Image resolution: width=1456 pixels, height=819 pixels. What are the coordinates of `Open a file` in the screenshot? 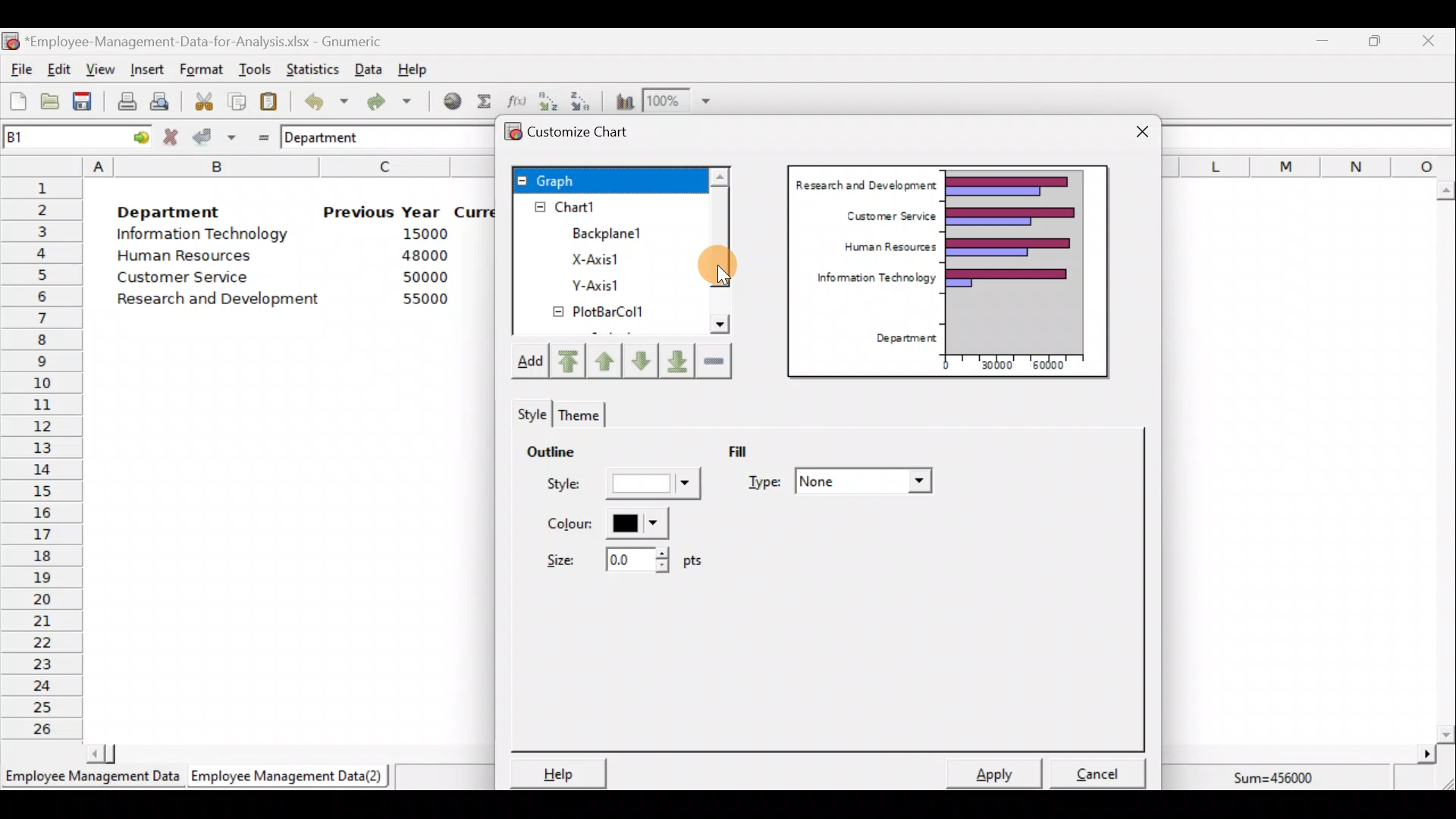 It's located at (54, 103).